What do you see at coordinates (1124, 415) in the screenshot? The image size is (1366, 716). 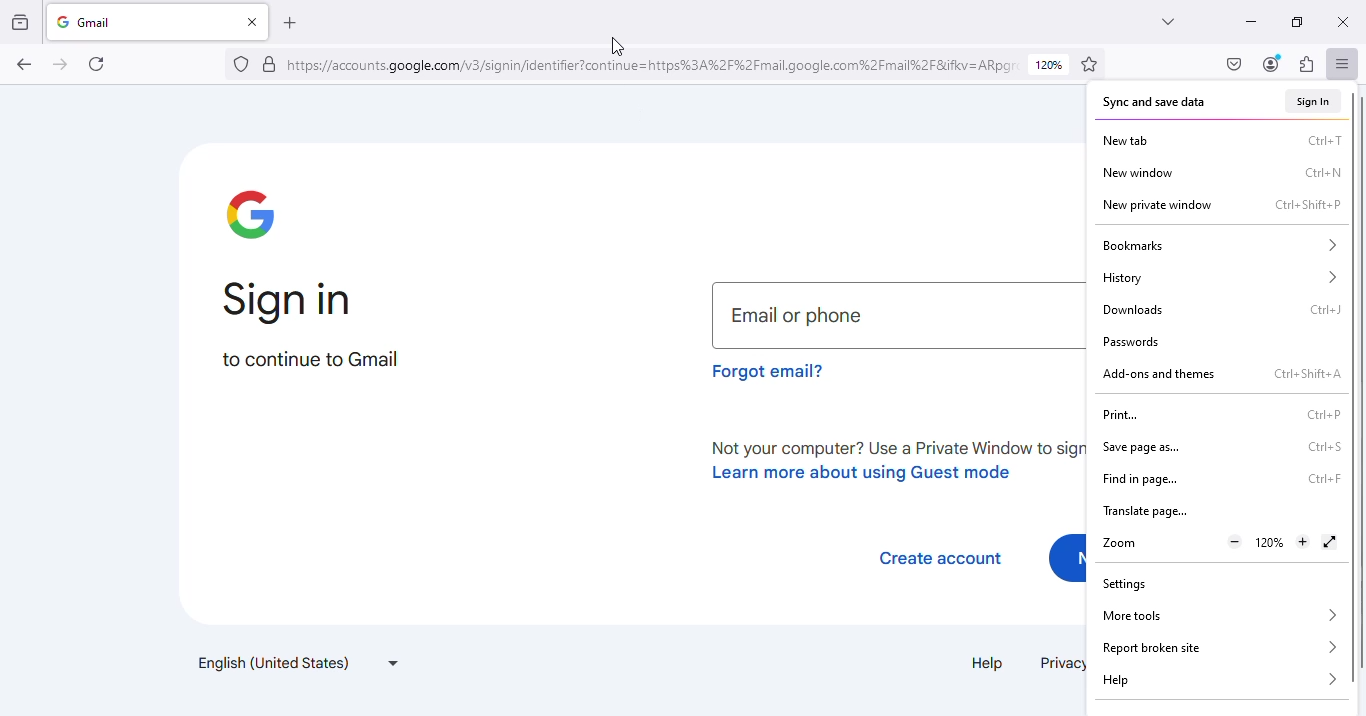 I see `print` at bounding box center [1124, 415].